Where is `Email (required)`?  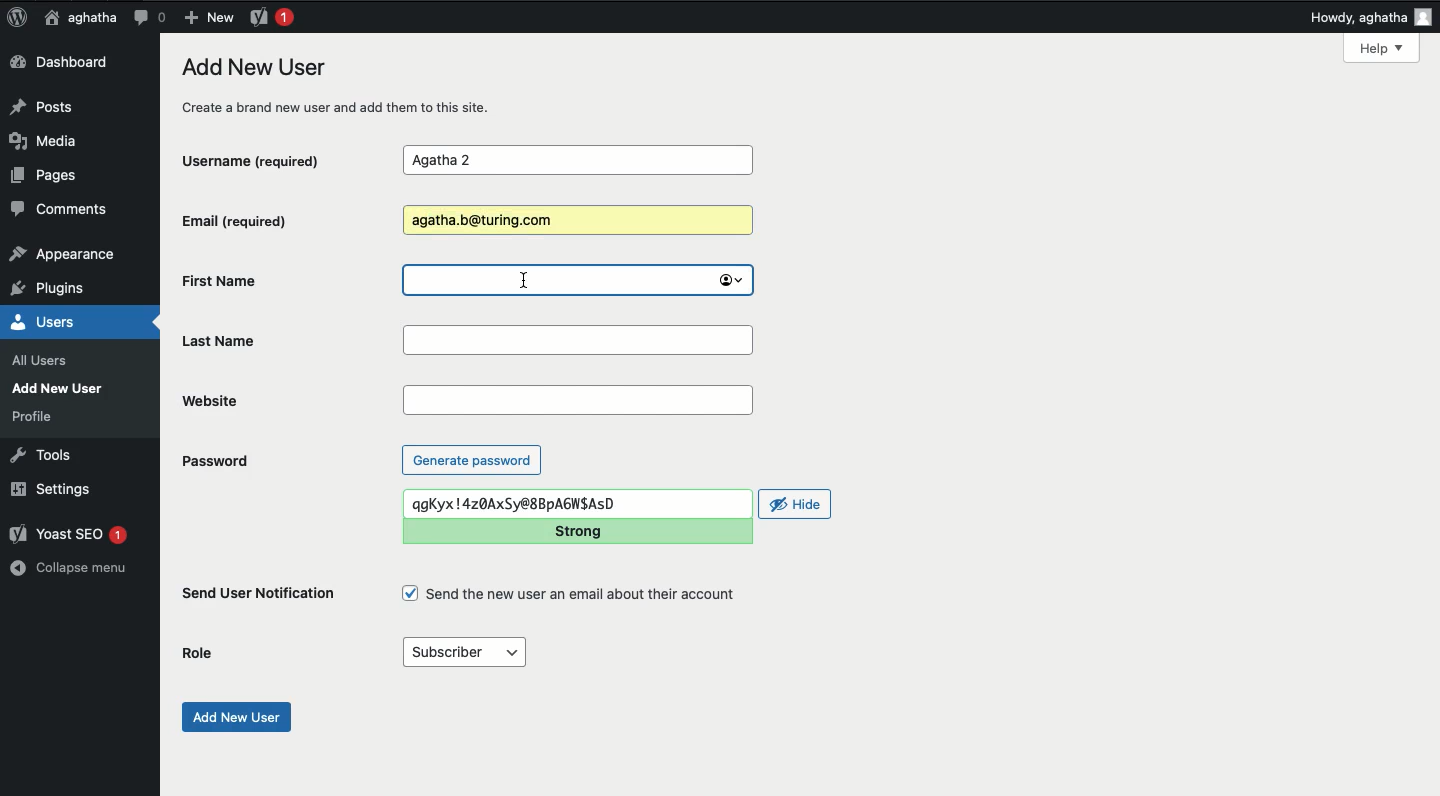
Email (required) is located at coordinates (272, 220).